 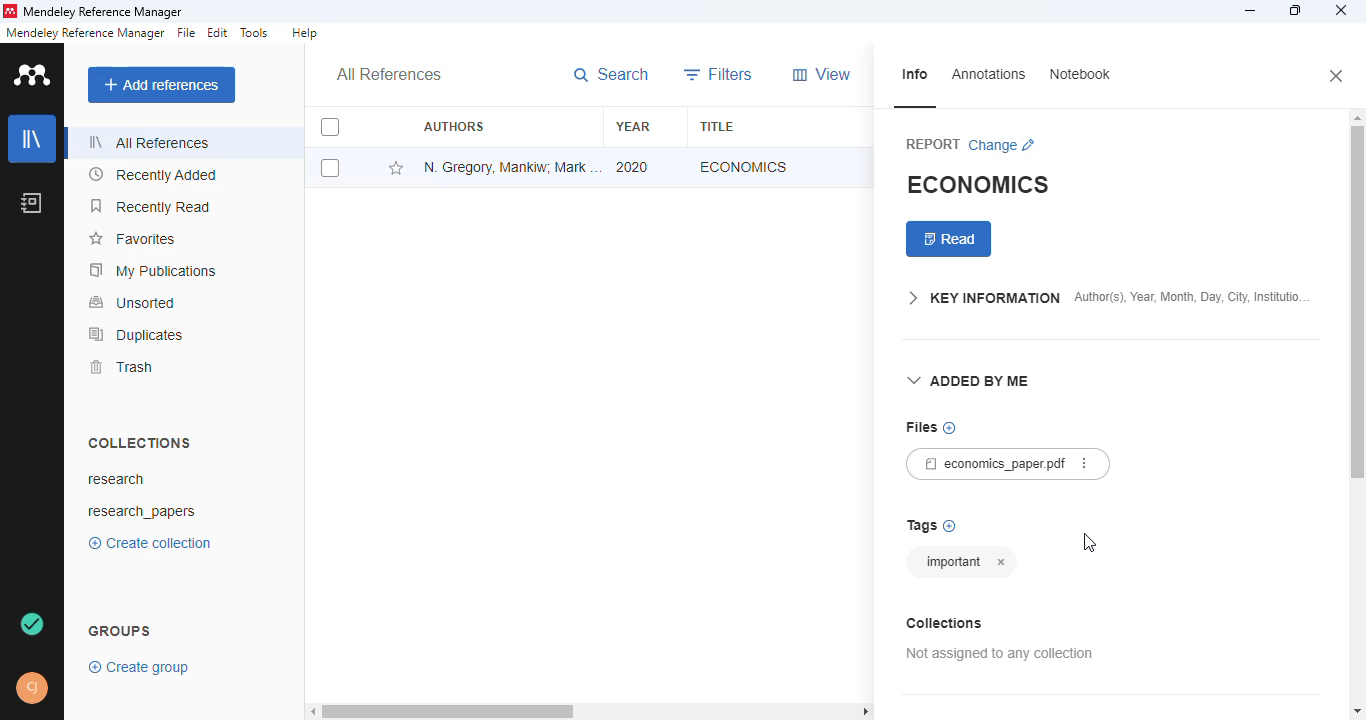 I want to click on all references, so click(x=388, y=74).